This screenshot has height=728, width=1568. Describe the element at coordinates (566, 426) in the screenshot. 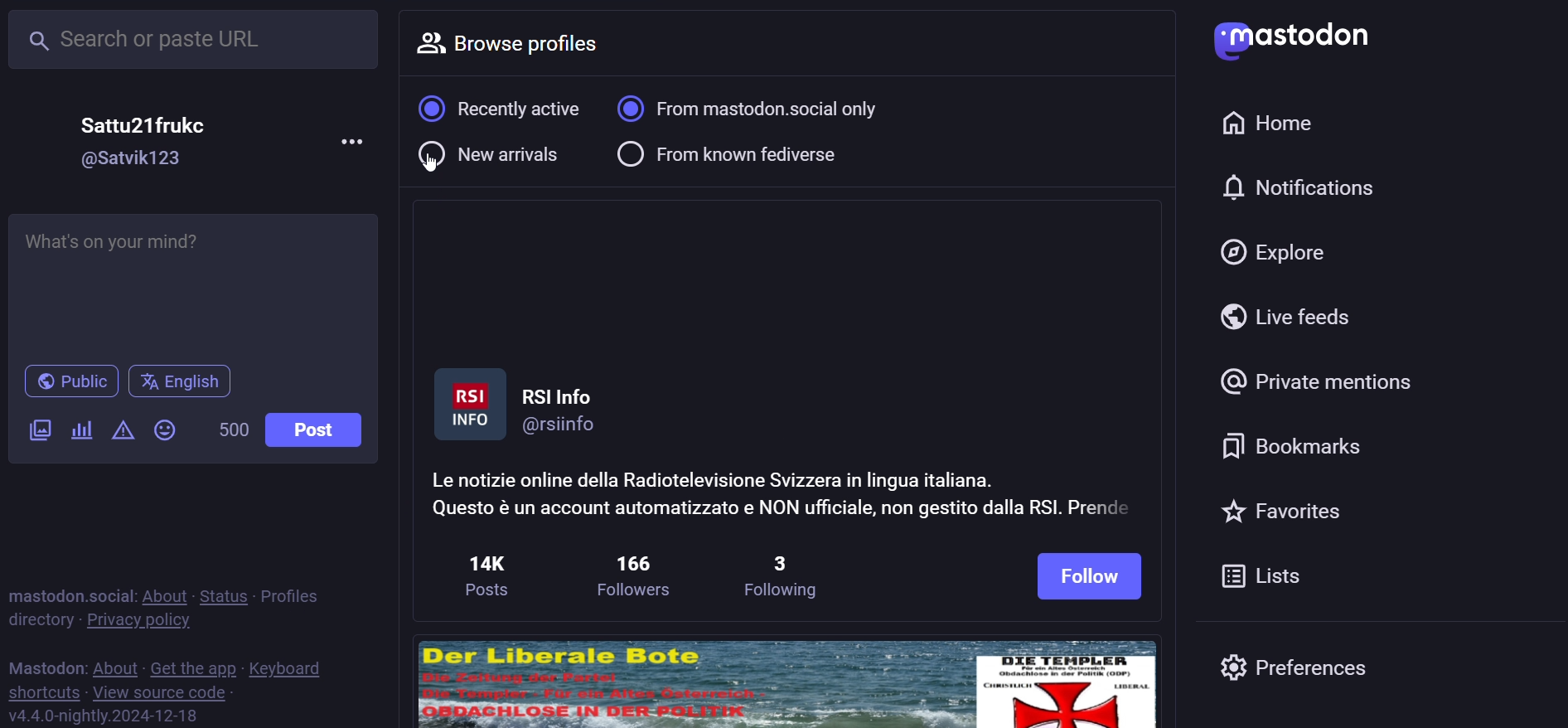

I see `@rsiinfo` at that location.